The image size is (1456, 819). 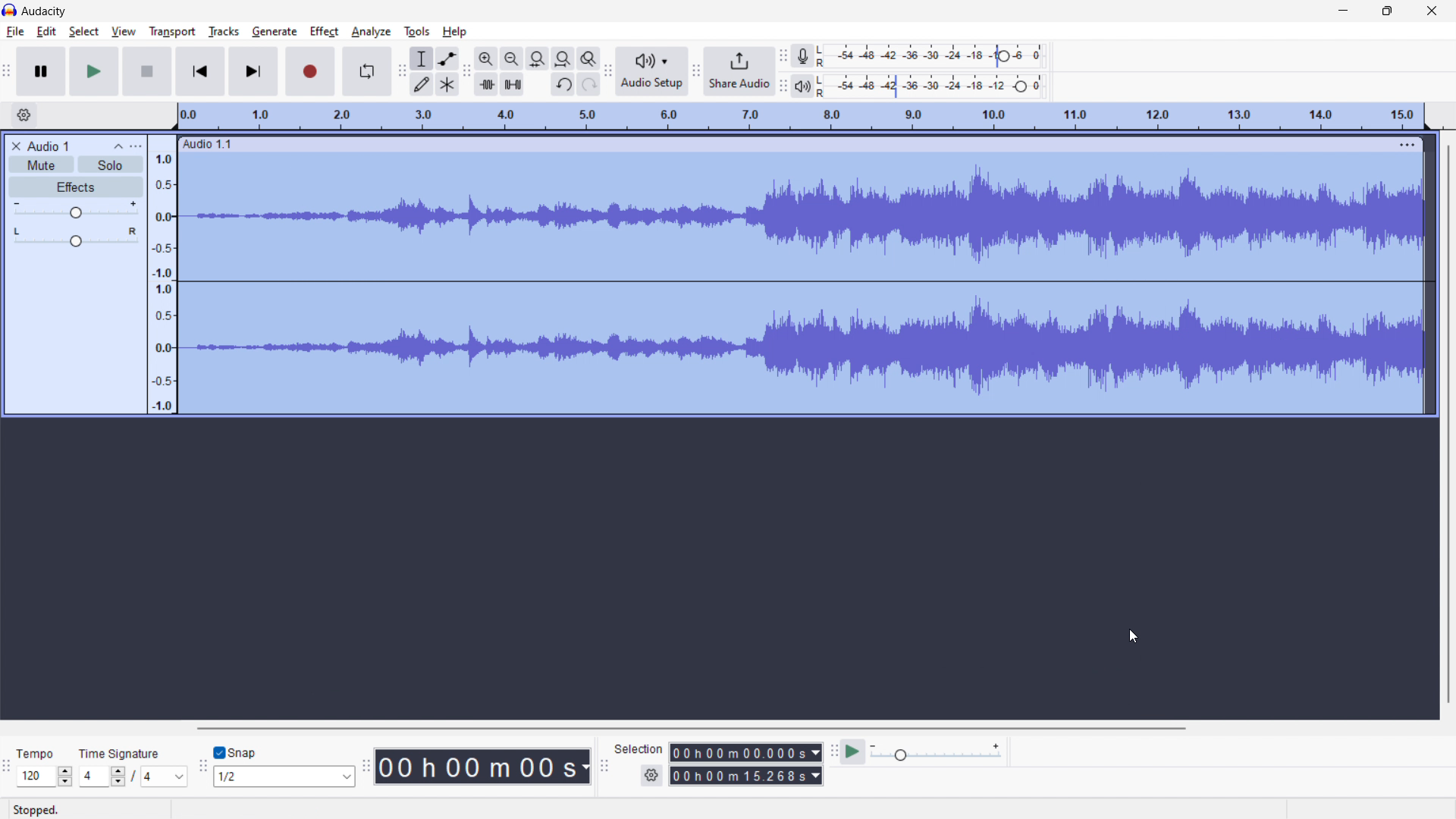 What do you see at coordinates (41, 164) in the screenshot?
I see `mute` at bounding box center [41, 164].